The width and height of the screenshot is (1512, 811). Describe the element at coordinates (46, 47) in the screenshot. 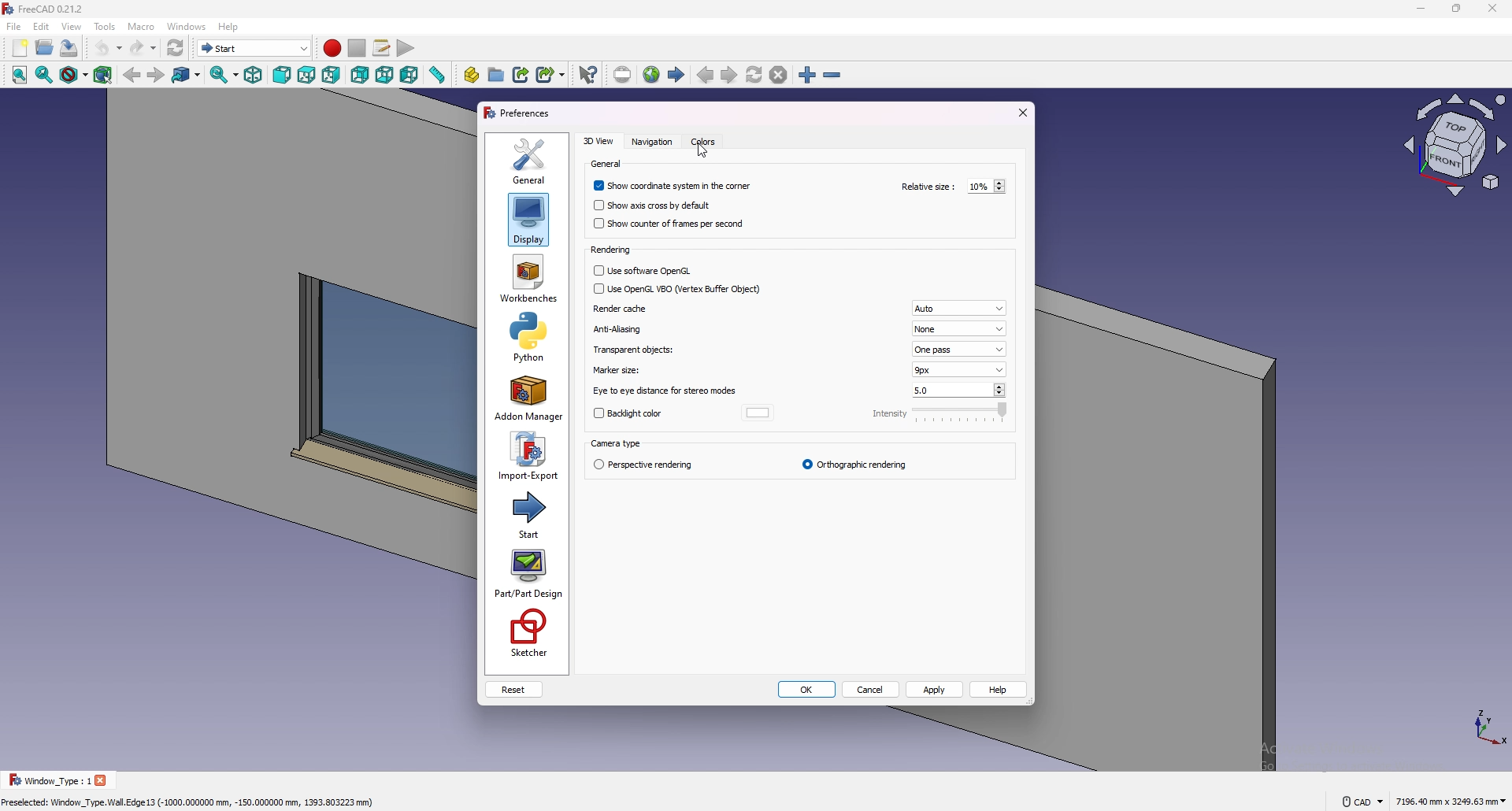

I see `open` at that location.